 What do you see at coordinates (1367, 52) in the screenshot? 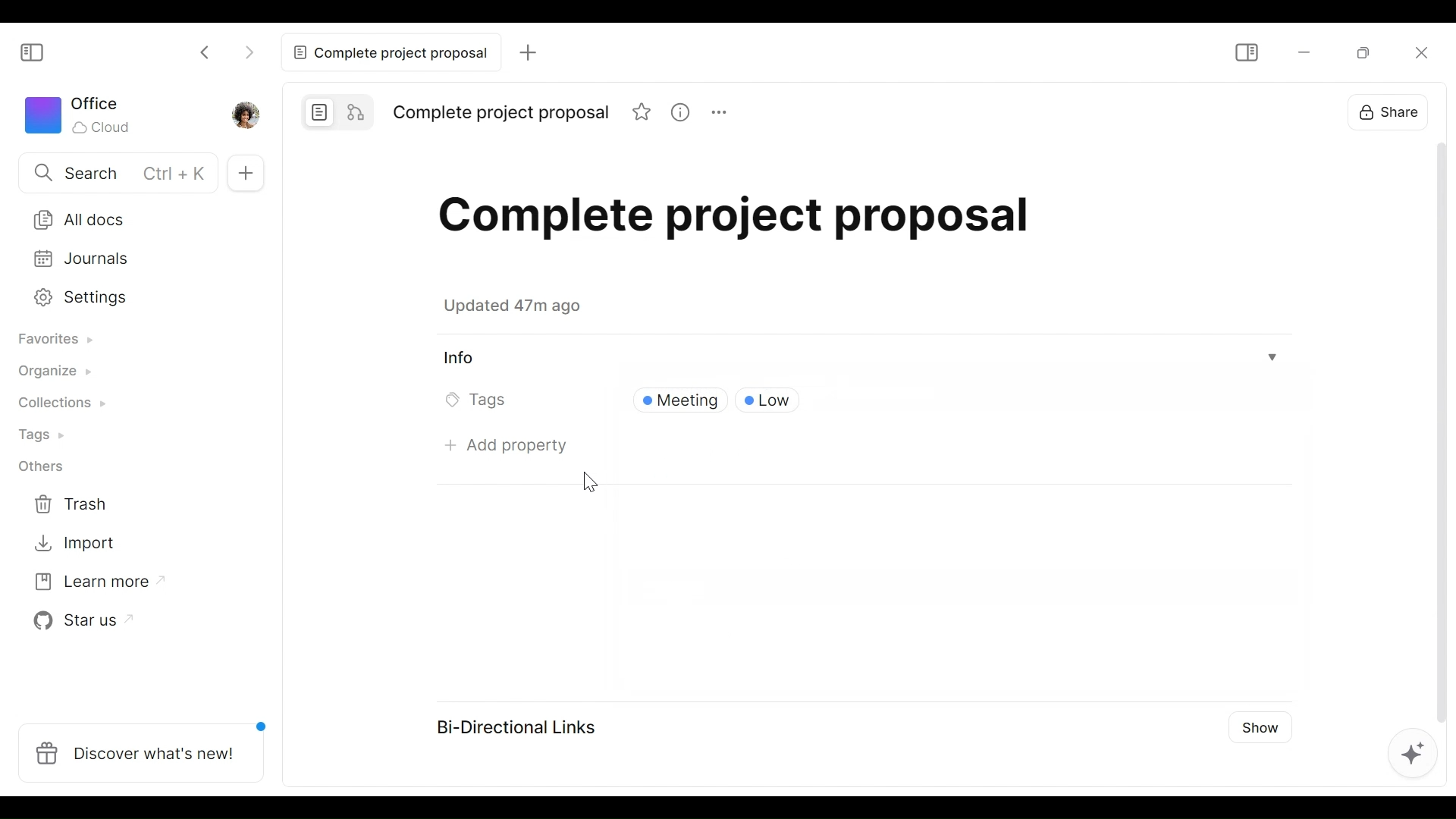
I see `Restore` at bounding box center [1367, 52].